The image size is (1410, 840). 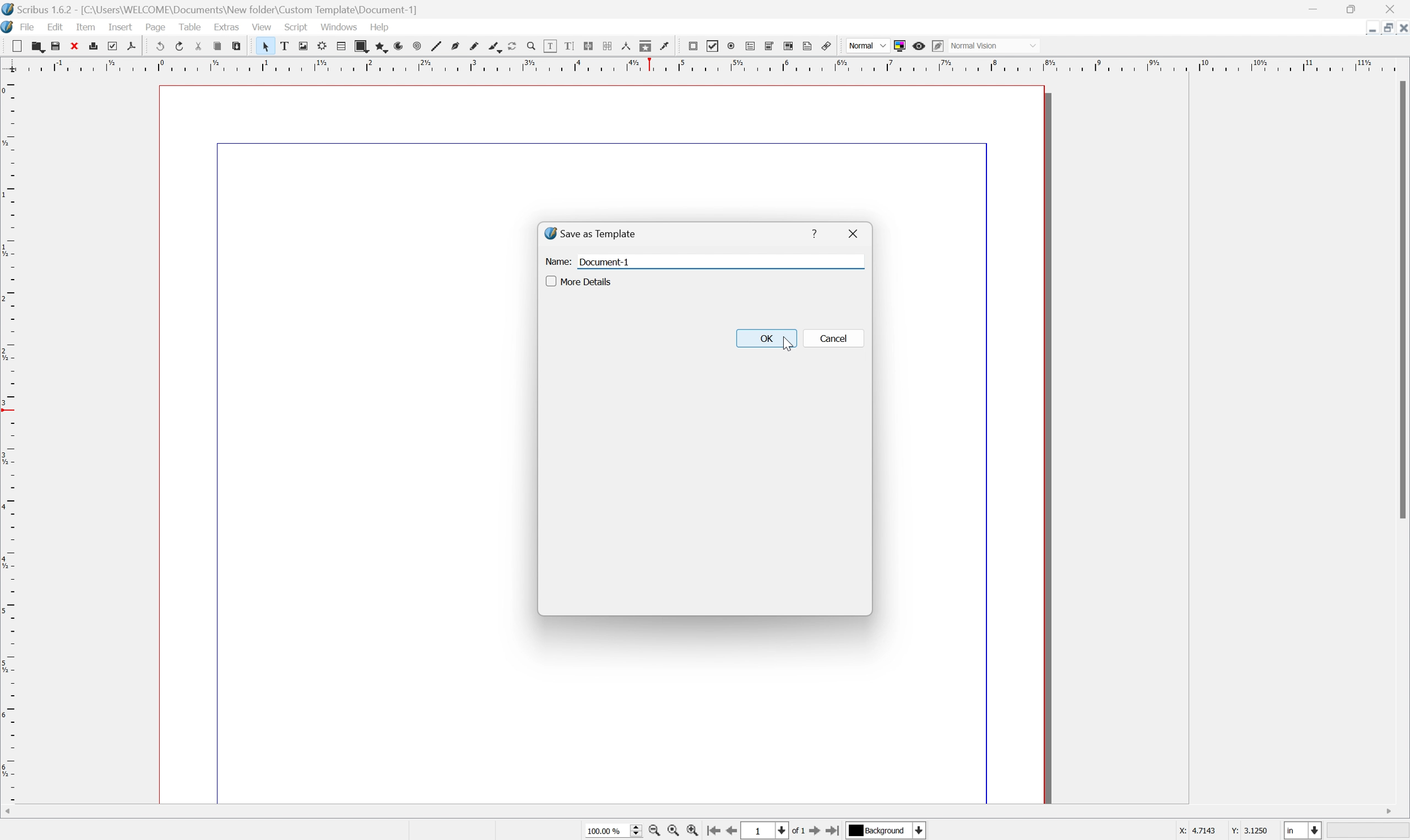 What do you see at coordinates (603, 263) in the screenshot?
I see `Document - 1` at bounding box center [603, 263].